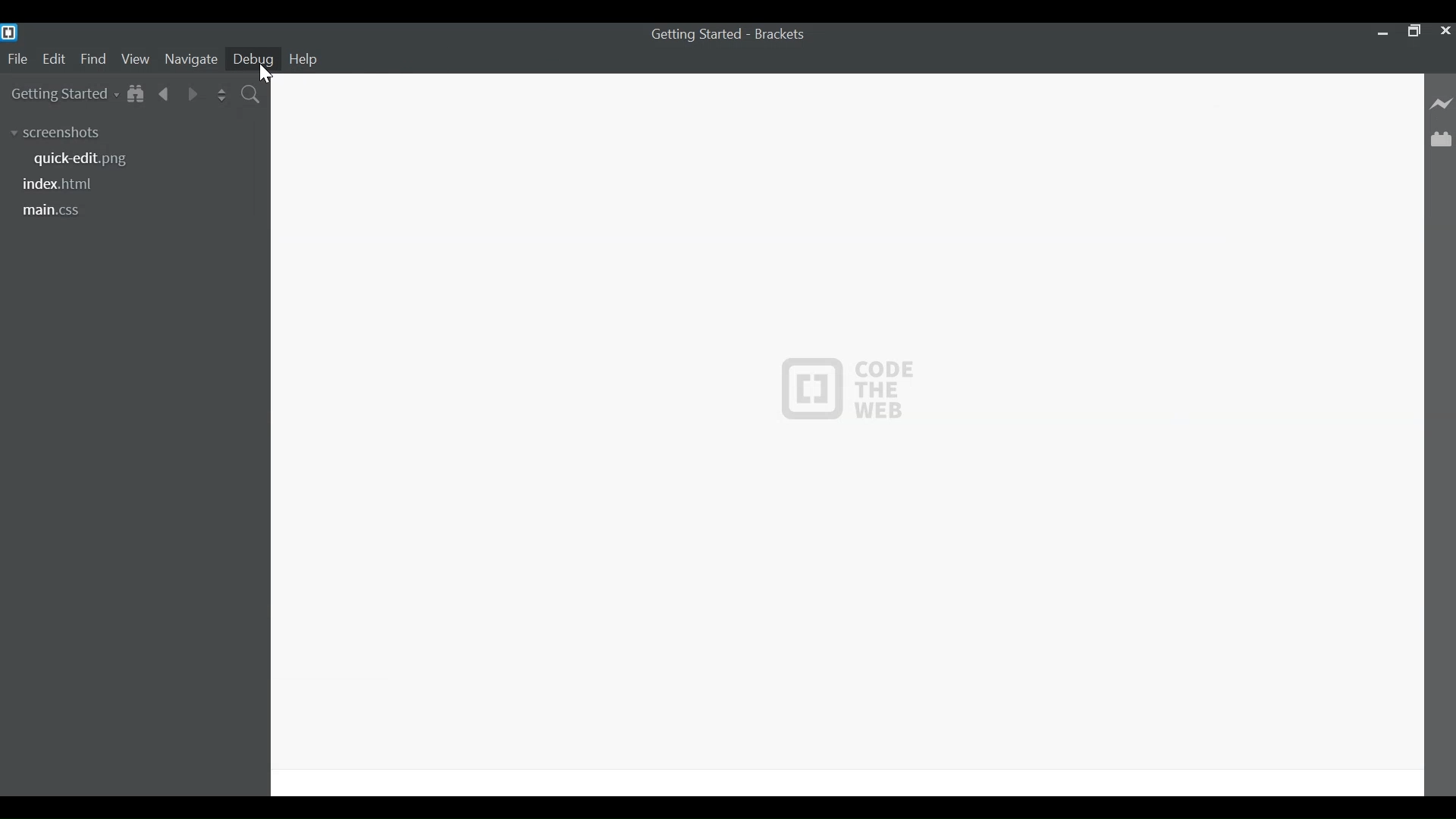 The image size is (1456, 819). Describe the element at coordinates (61, 133) in the screenshot. I see `screenshots ` at that location.